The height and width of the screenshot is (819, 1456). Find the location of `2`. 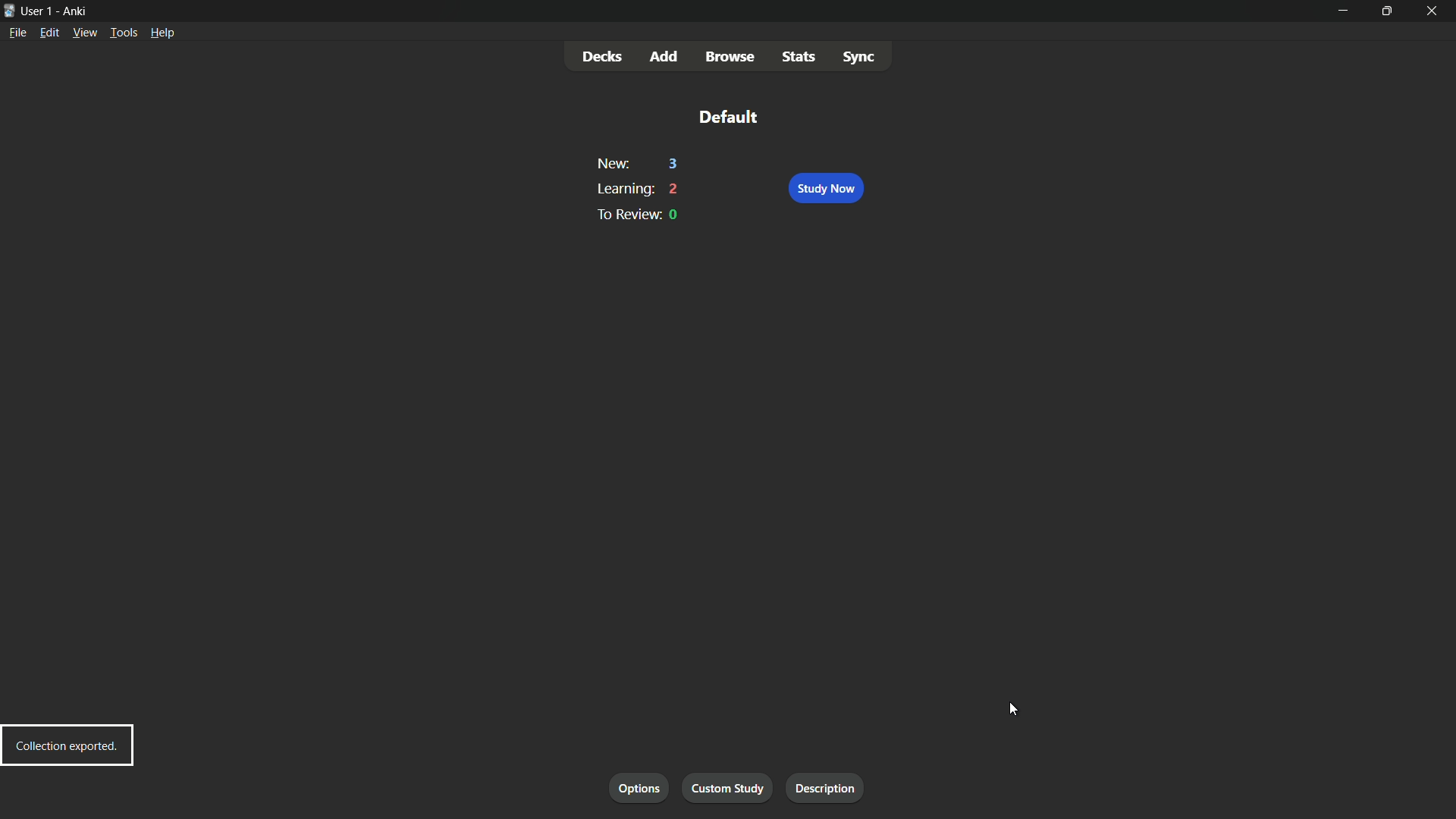

2 is located at coordinates (675, 189).